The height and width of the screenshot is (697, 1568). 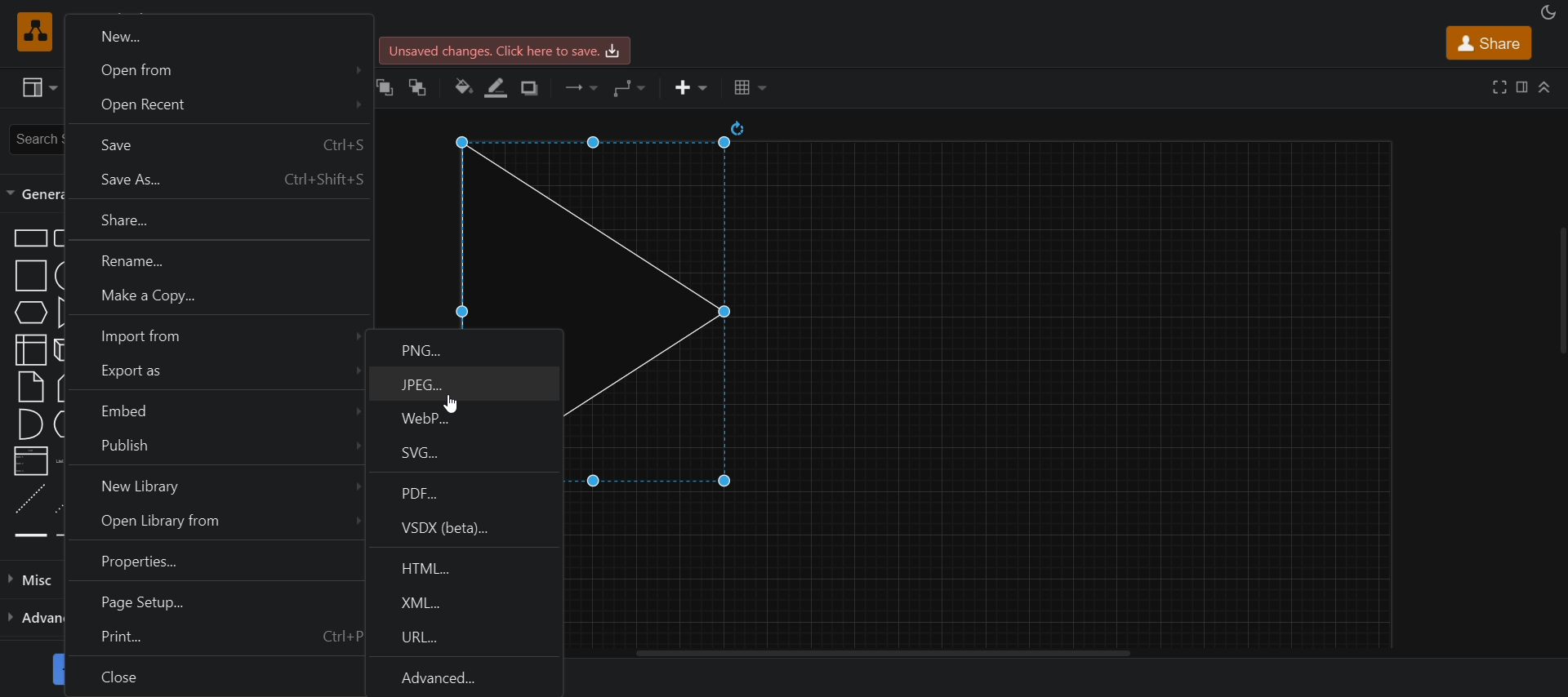 I want to click on new, so click(x=216, y=33).